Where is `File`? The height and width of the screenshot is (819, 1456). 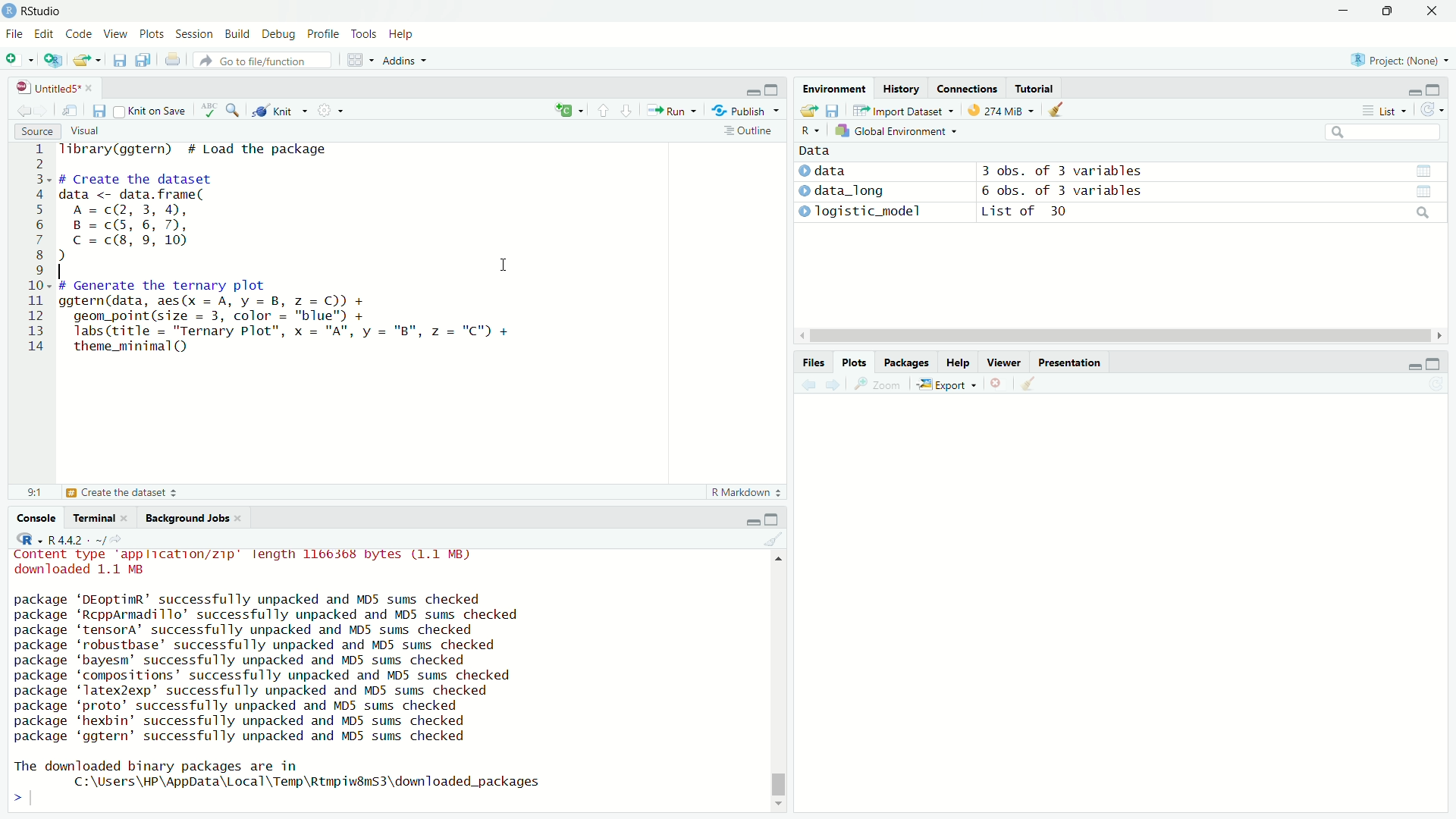
File is located at coordinates (16, 33).